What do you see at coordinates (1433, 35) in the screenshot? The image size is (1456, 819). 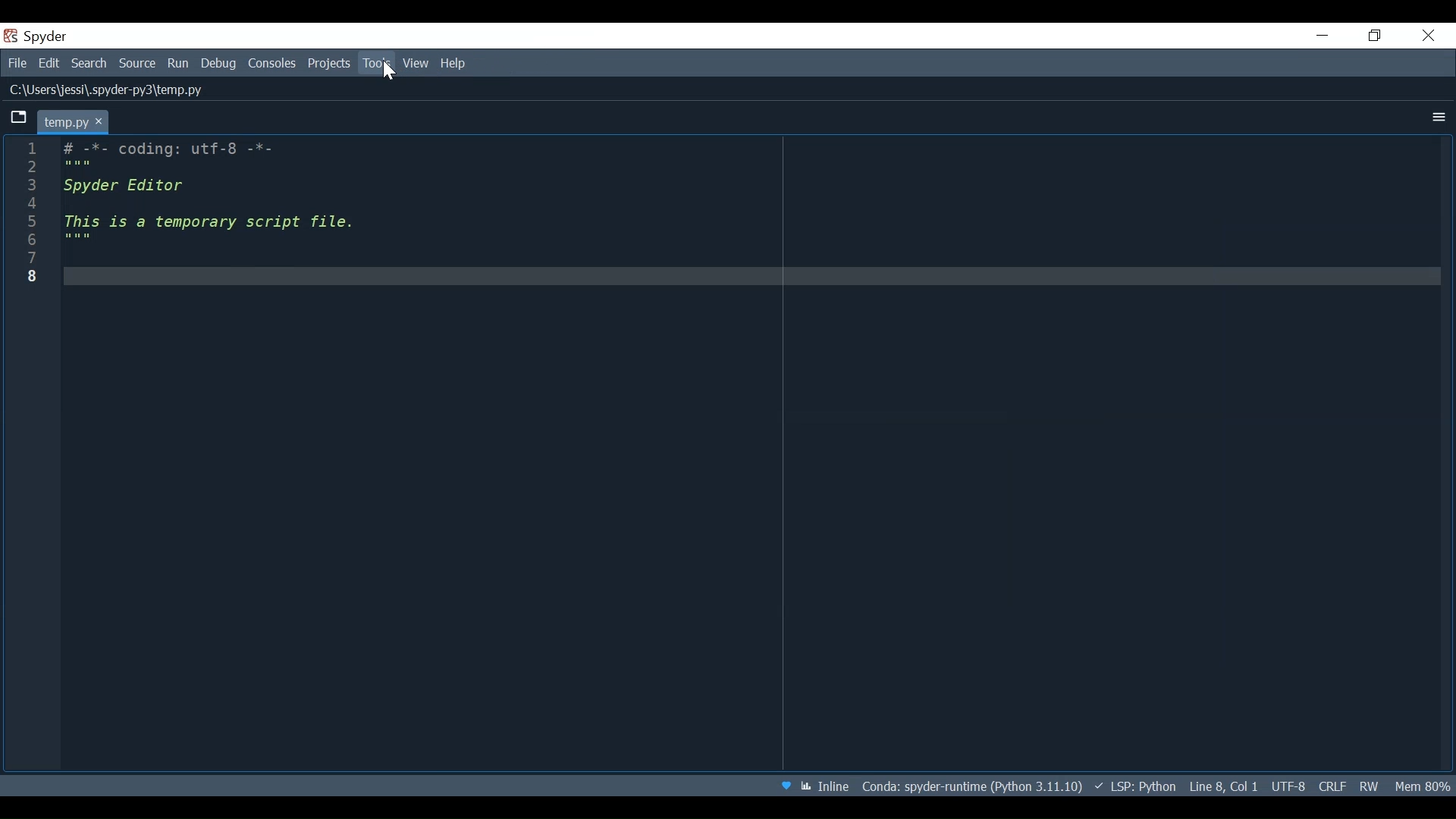 I see `Close` at bounding box center [1433, 35].